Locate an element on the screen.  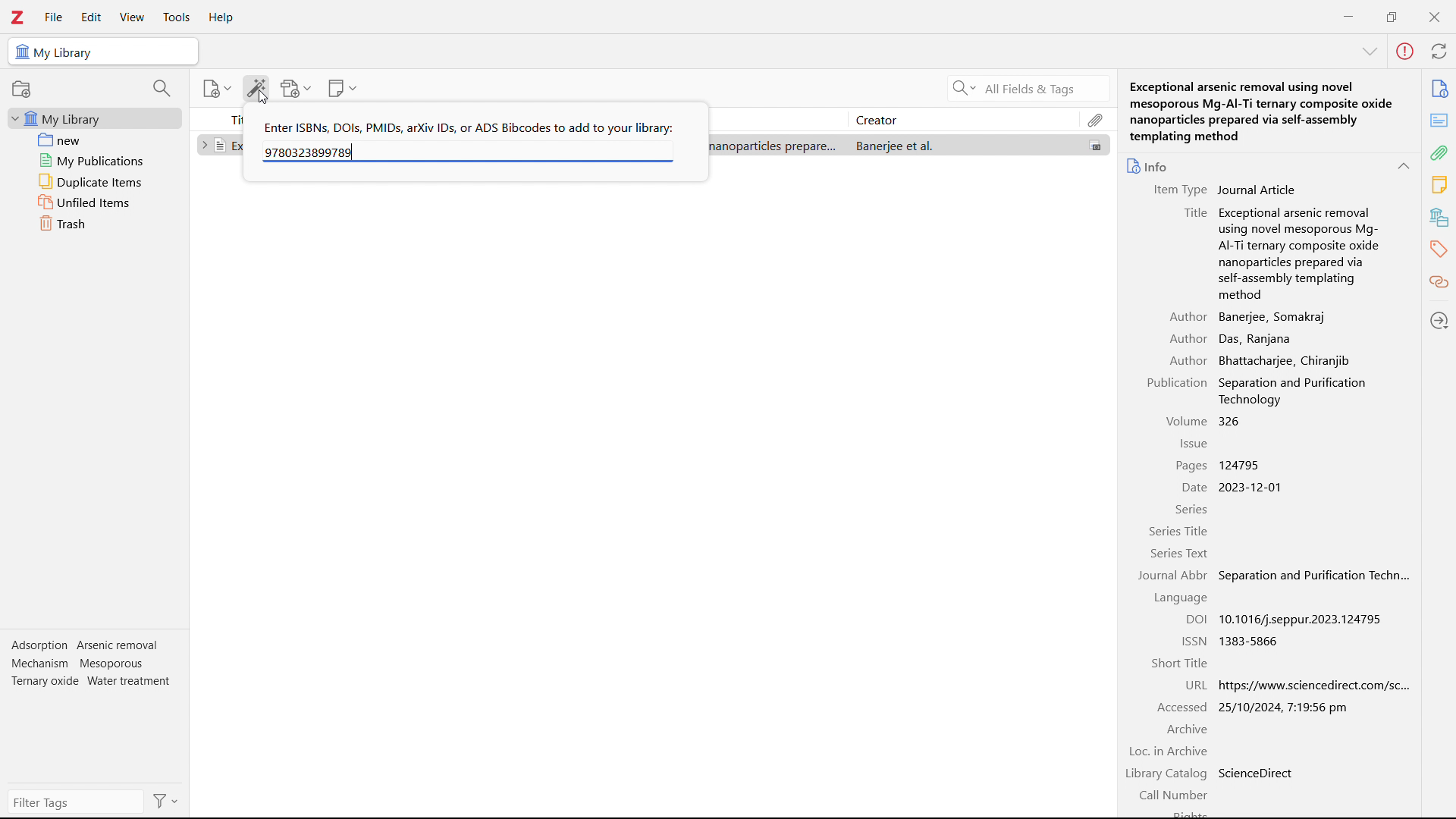
title is located at coordinates (1194, 212).